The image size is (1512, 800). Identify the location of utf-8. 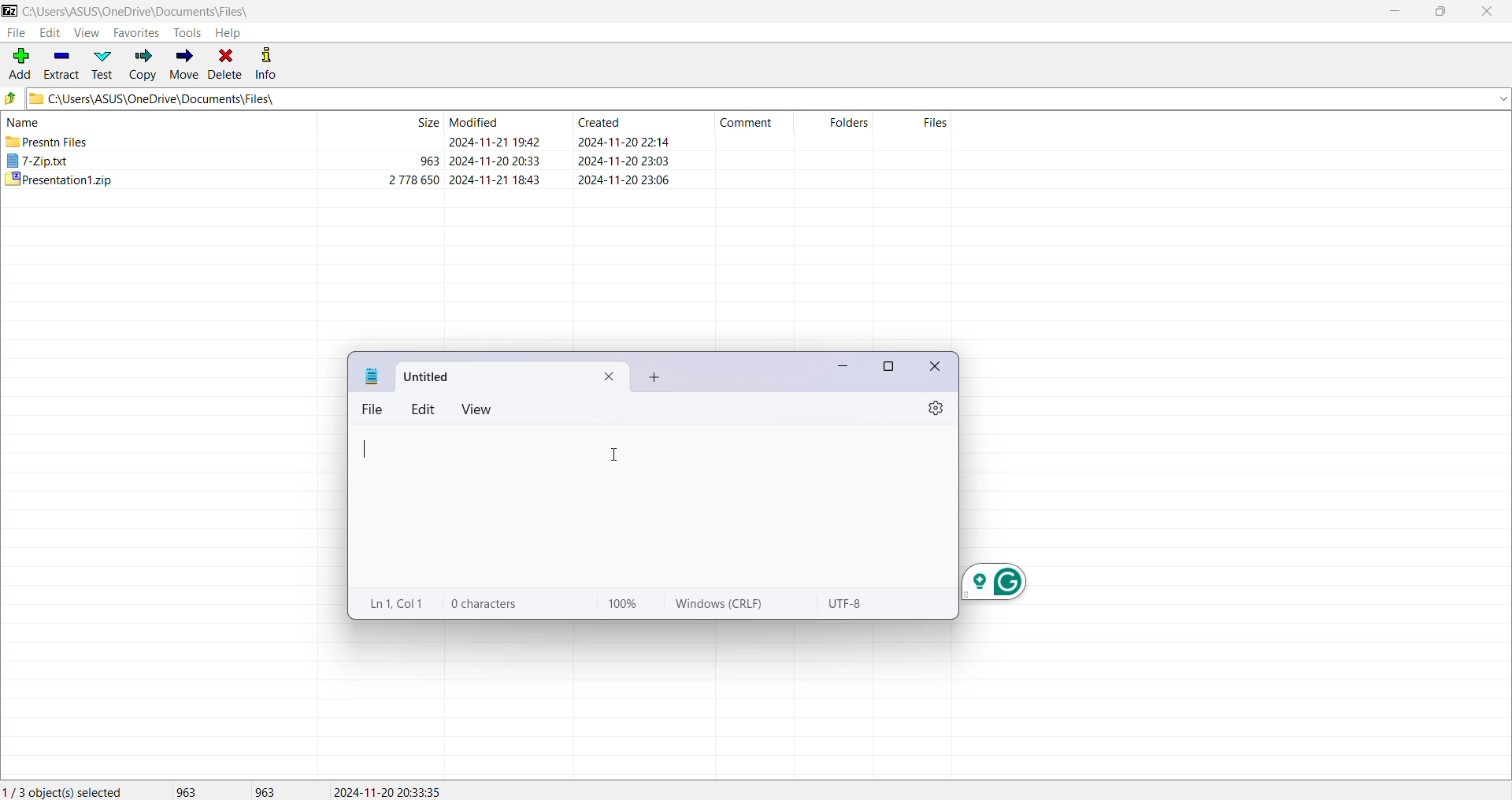
(846, 603).